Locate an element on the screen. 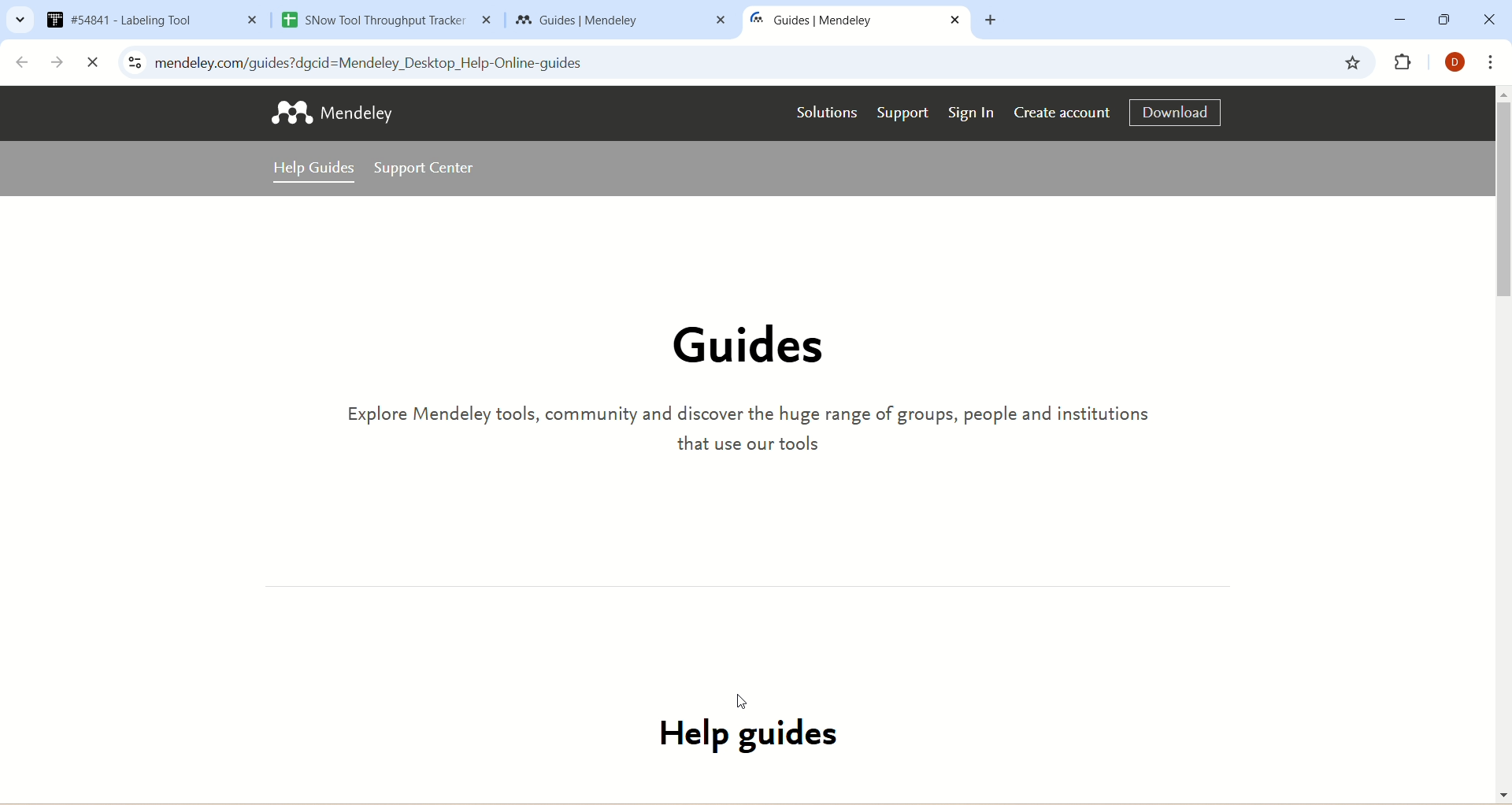 This screenshot has width=1512, height=805. Snow Tool Throughput Tracker is located at coordinates (385, 22).